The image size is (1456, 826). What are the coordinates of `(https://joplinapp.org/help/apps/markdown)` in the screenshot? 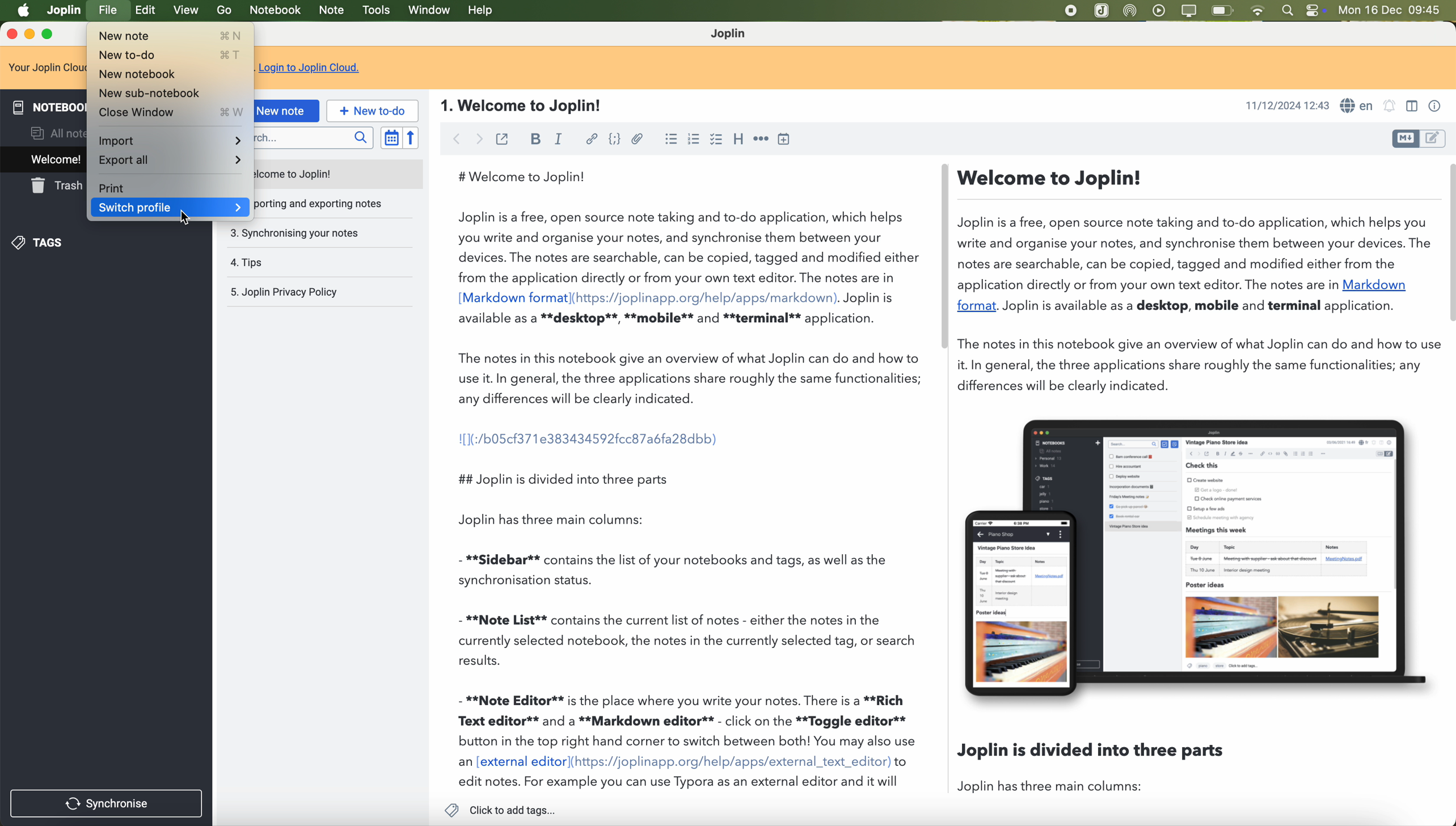 It's located at (706, 297).